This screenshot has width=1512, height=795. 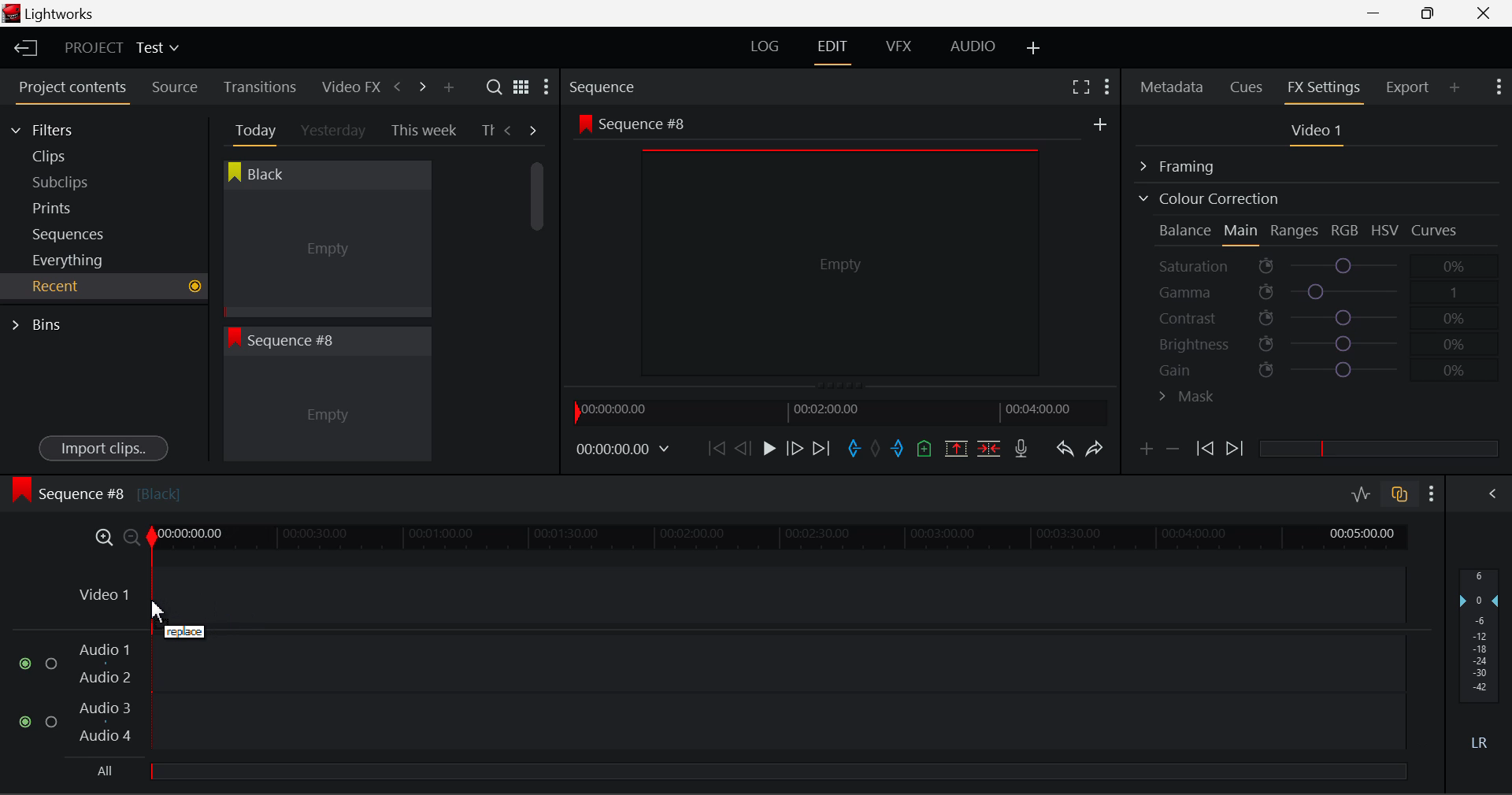 What do you see at coordinates (496, 87) in the screenshot?
I see `Search` at bounding box center [496, 87].